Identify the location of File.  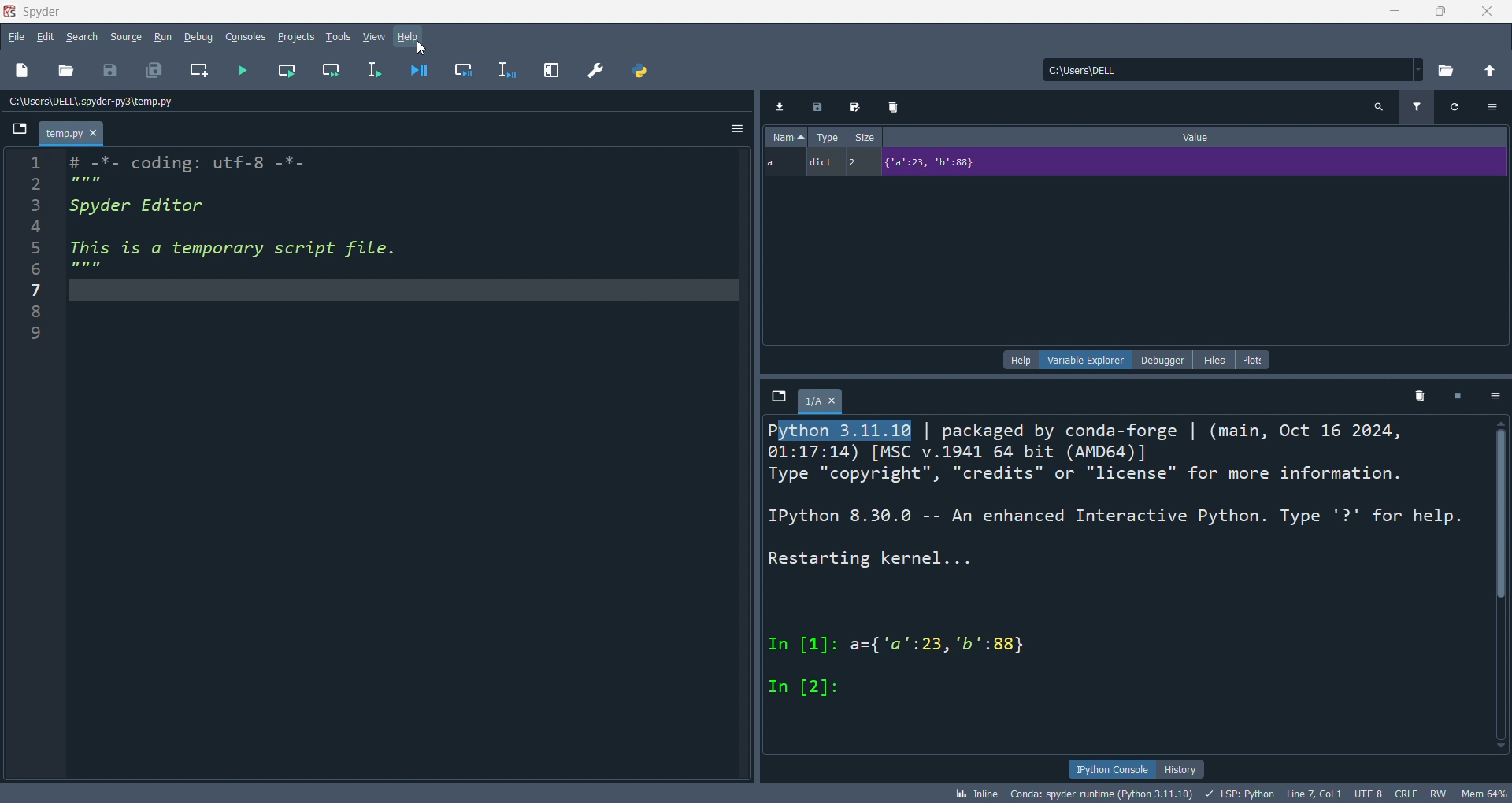
(19, 128).